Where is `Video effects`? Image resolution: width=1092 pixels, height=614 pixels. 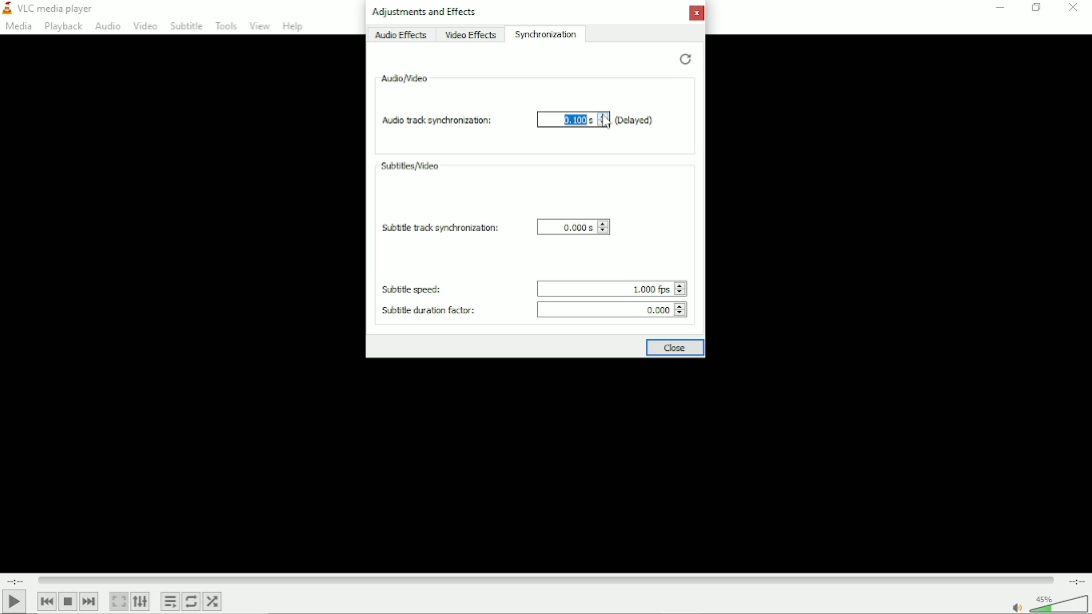 Video effects is located at coordinates (472, 34).